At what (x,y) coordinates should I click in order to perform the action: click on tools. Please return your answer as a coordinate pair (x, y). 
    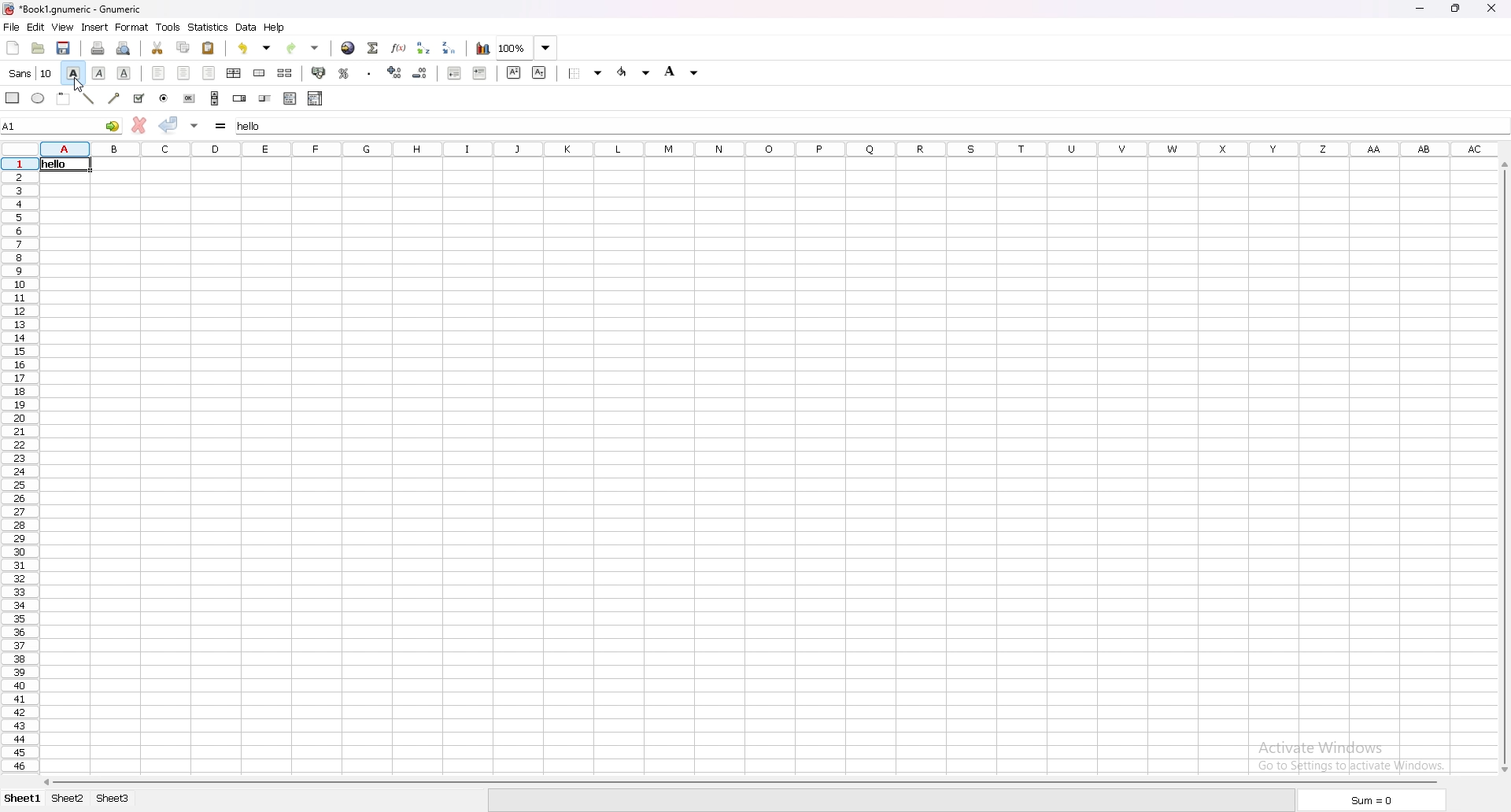
    Looking at the image, I should click on (168, 28).